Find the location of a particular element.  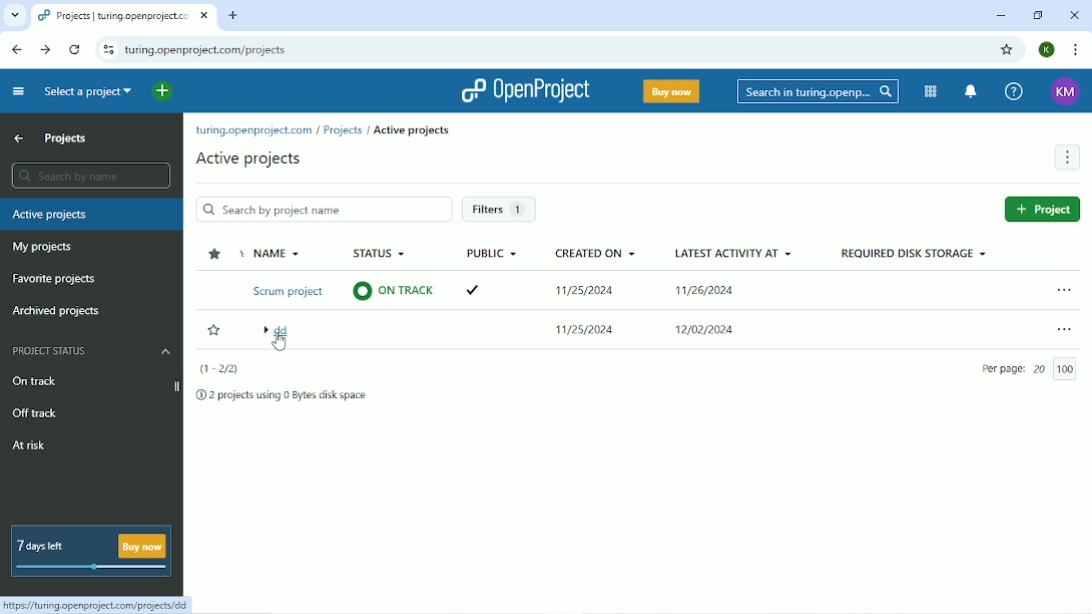

Required disk storage is located at coordinates (913, 253).